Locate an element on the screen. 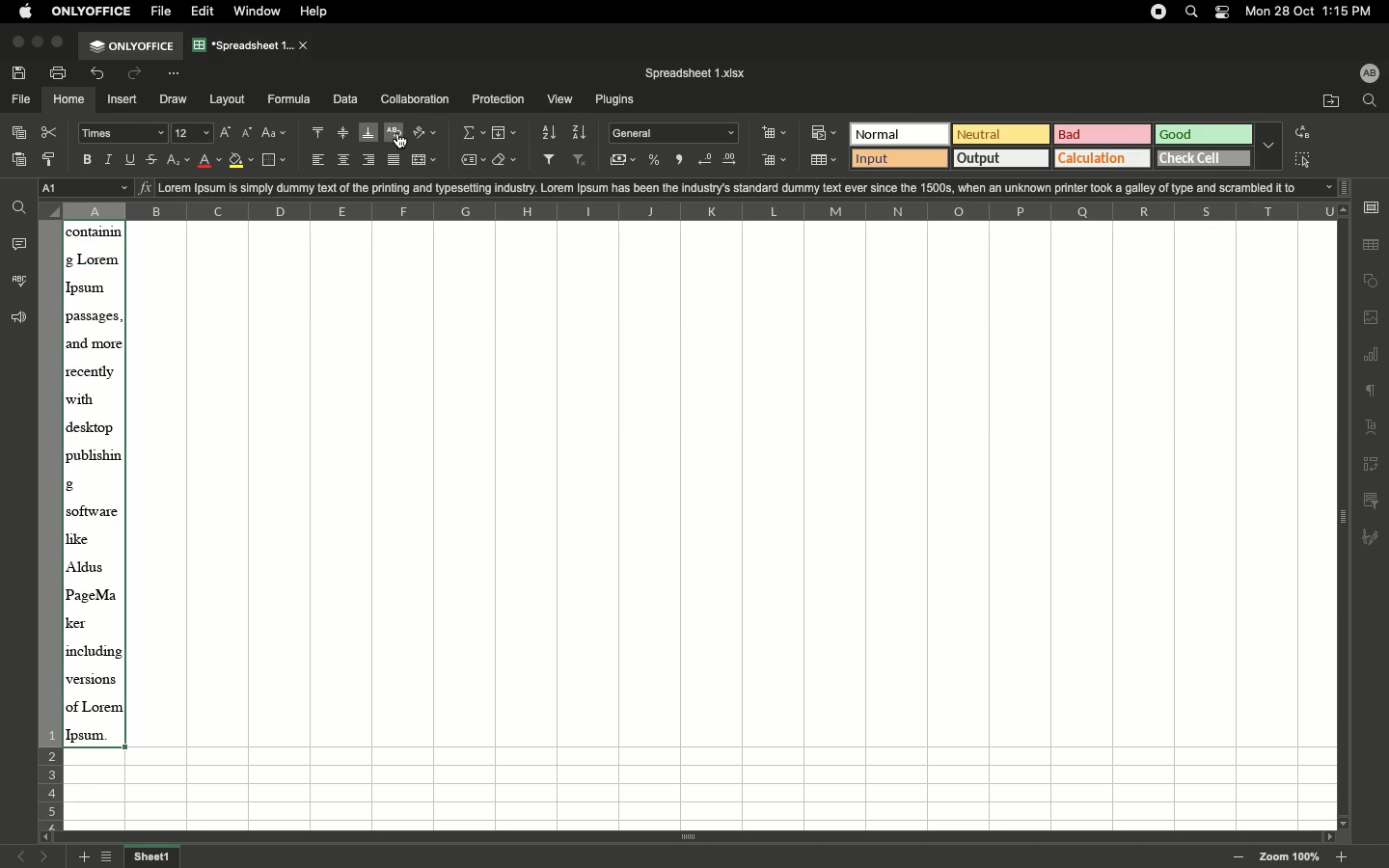  Align bottom is located at coordinates (369, 134).